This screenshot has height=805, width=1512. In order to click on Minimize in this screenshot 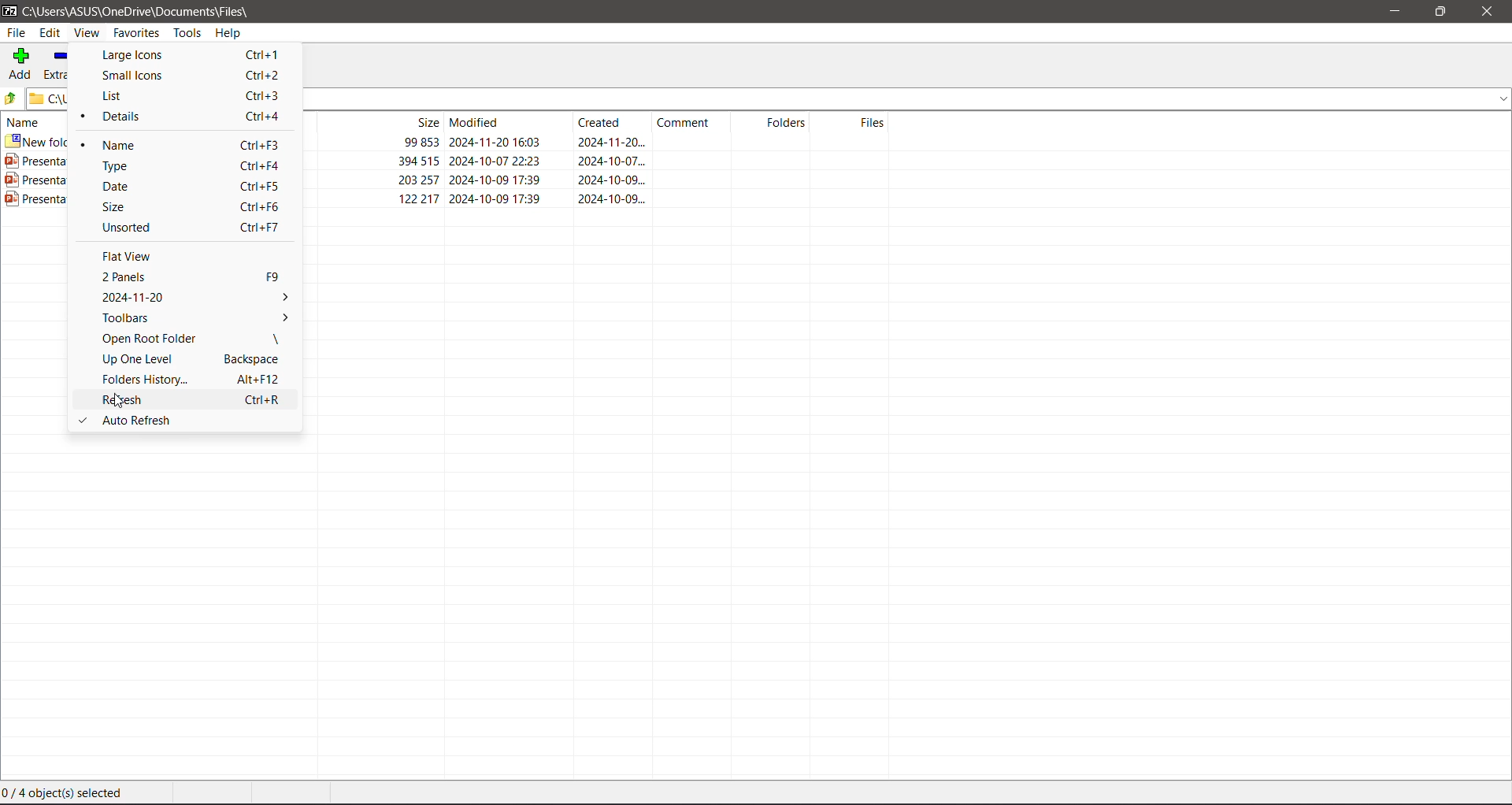, I will do `click(1395, 12)`.